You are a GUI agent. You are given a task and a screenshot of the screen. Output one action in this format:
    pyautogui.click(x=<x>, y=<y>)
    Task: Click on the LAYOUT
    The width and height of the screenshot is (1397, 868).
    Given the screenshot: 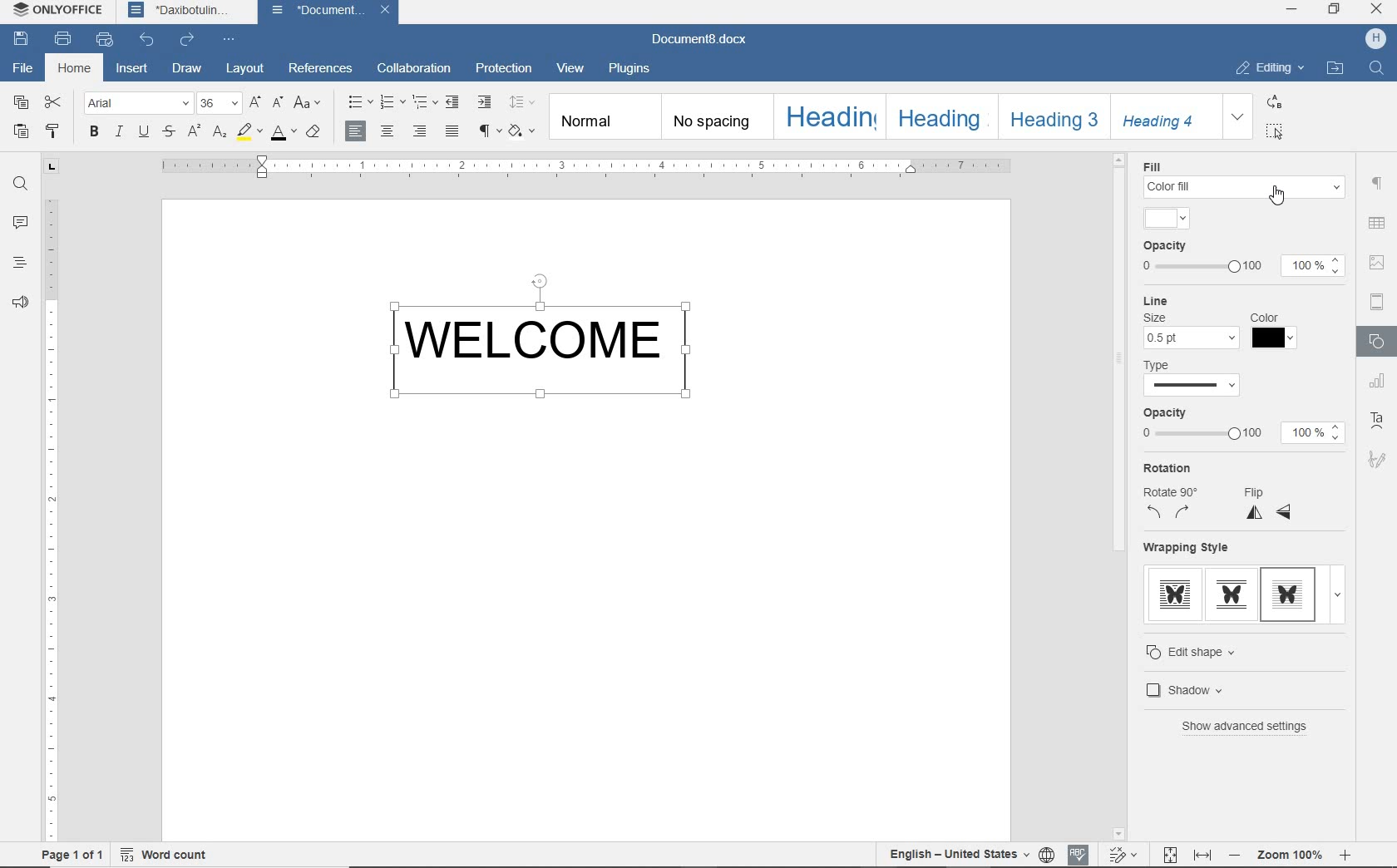 What is the action you would take?
    pyautogui.click(x=245, y=71)
    